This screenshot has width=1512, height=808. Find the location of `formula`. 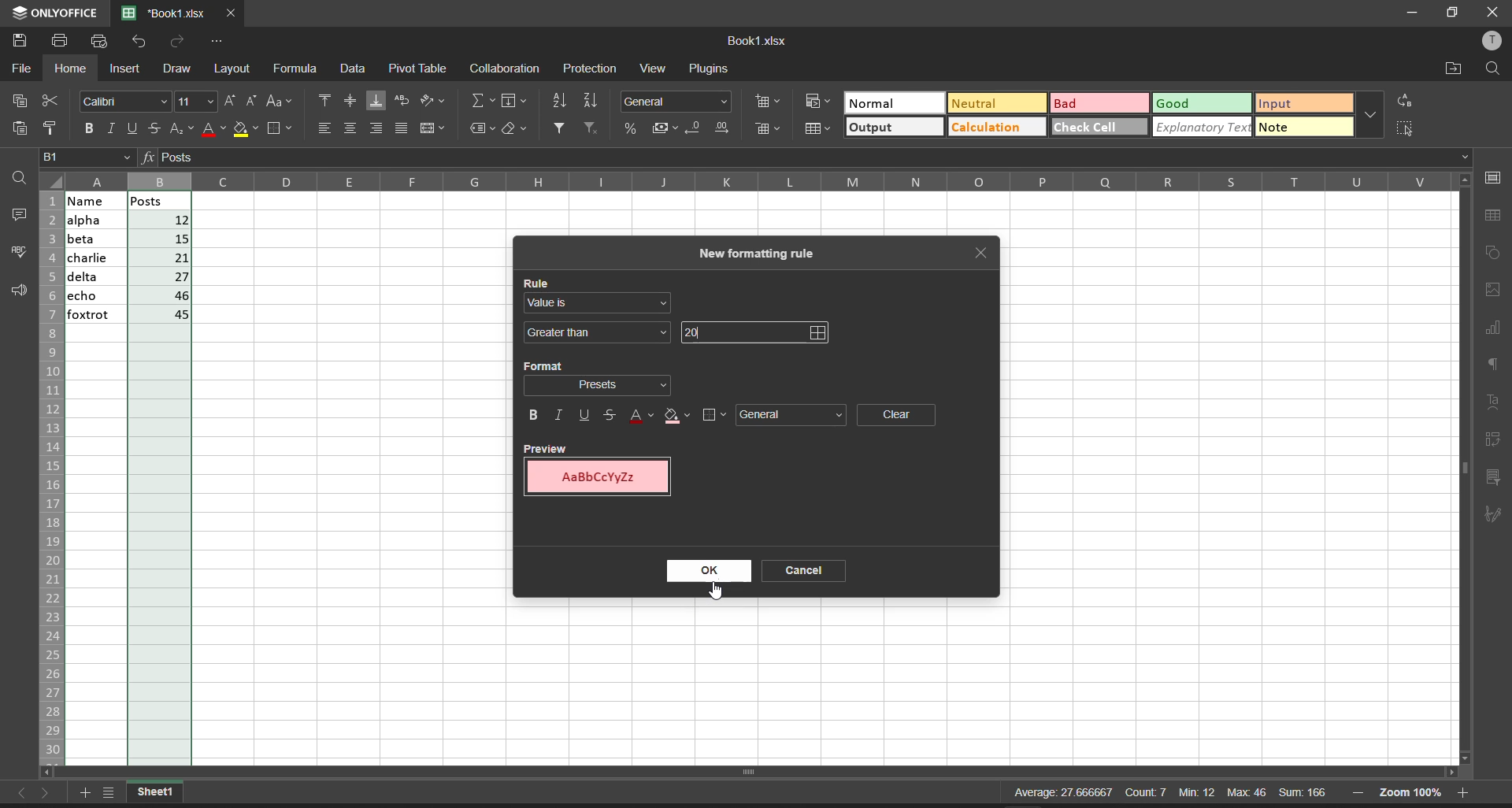

formula is located at coordinates (297, 68).